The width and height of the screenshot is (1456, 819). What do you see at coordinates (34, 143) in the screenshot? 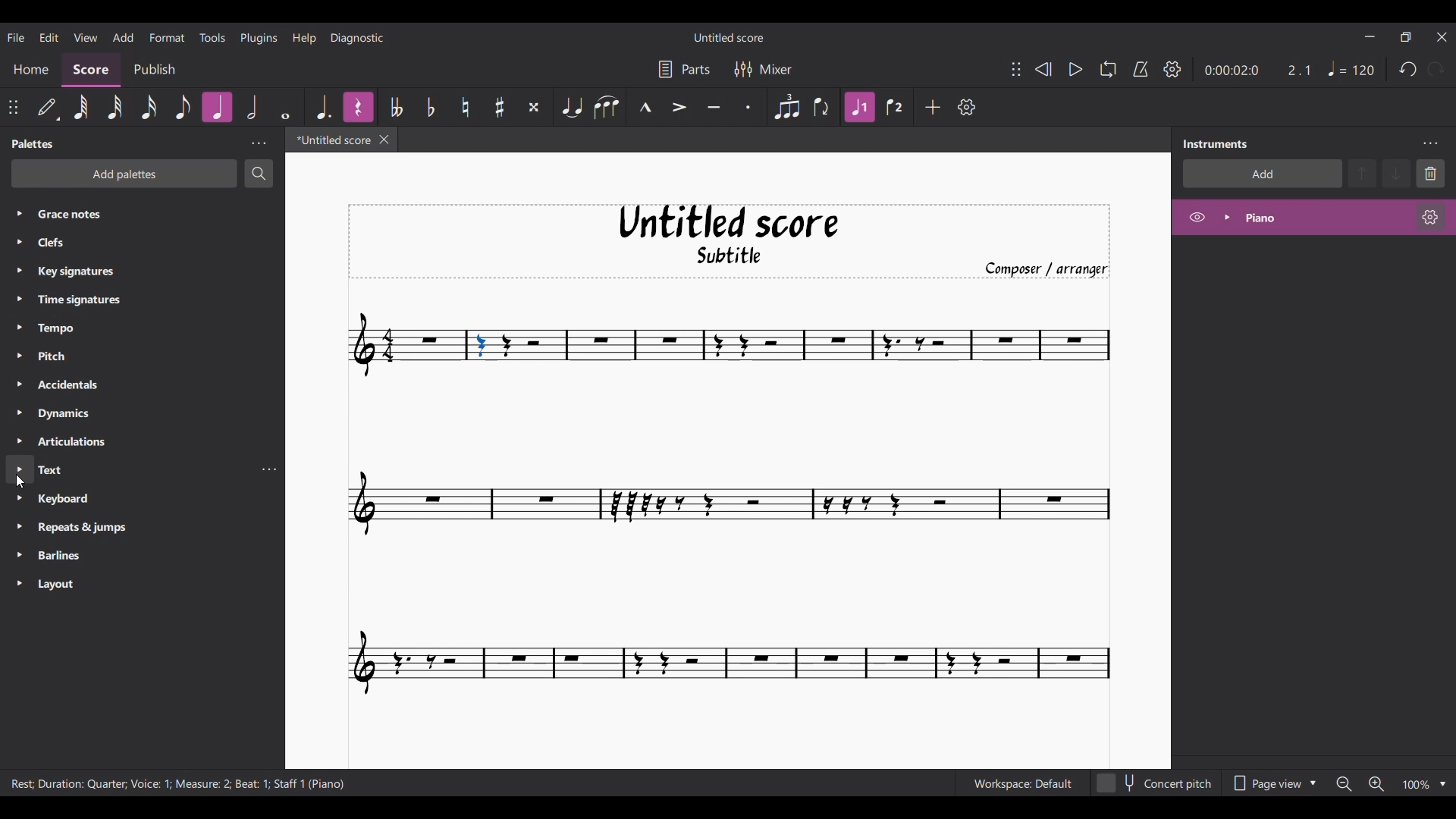
I see `Panel title` at bounding box center [34, 143].